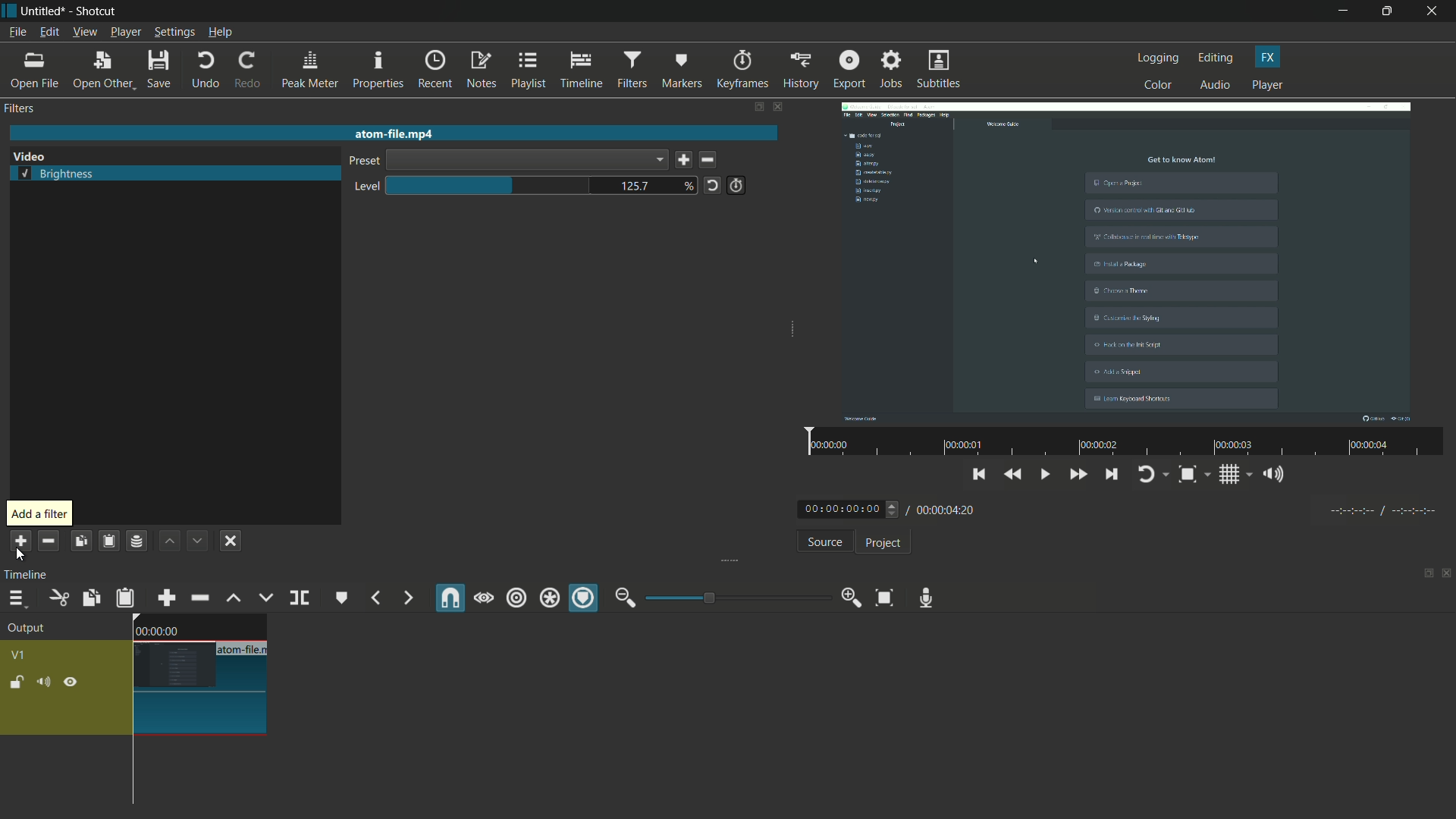  I want to click on add filter, so click(19, 541).